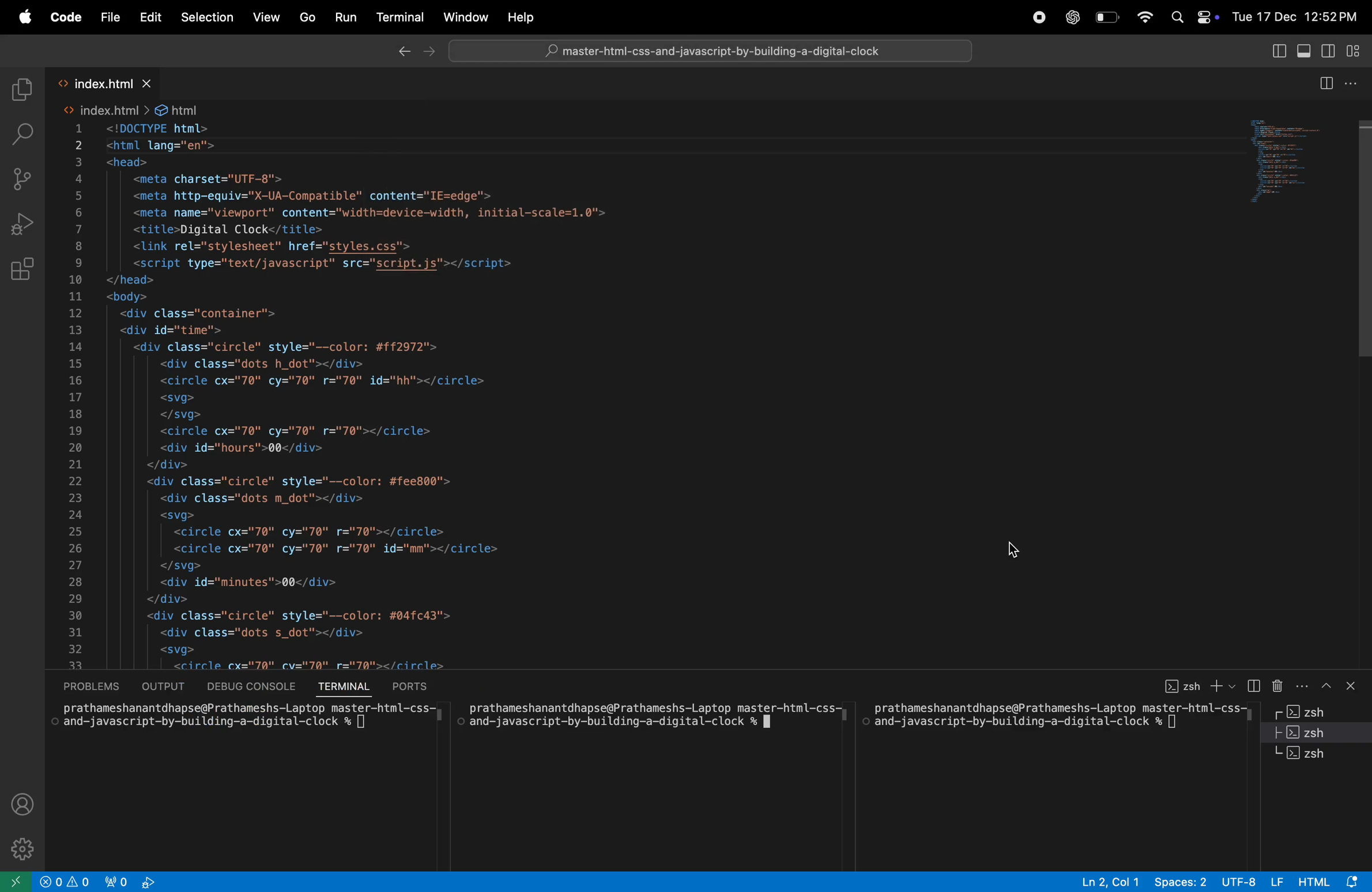  What do you see at coordinates (1333, 881) in the screenshot?
I see `Html Alert` at bounding box center [1333, 881].